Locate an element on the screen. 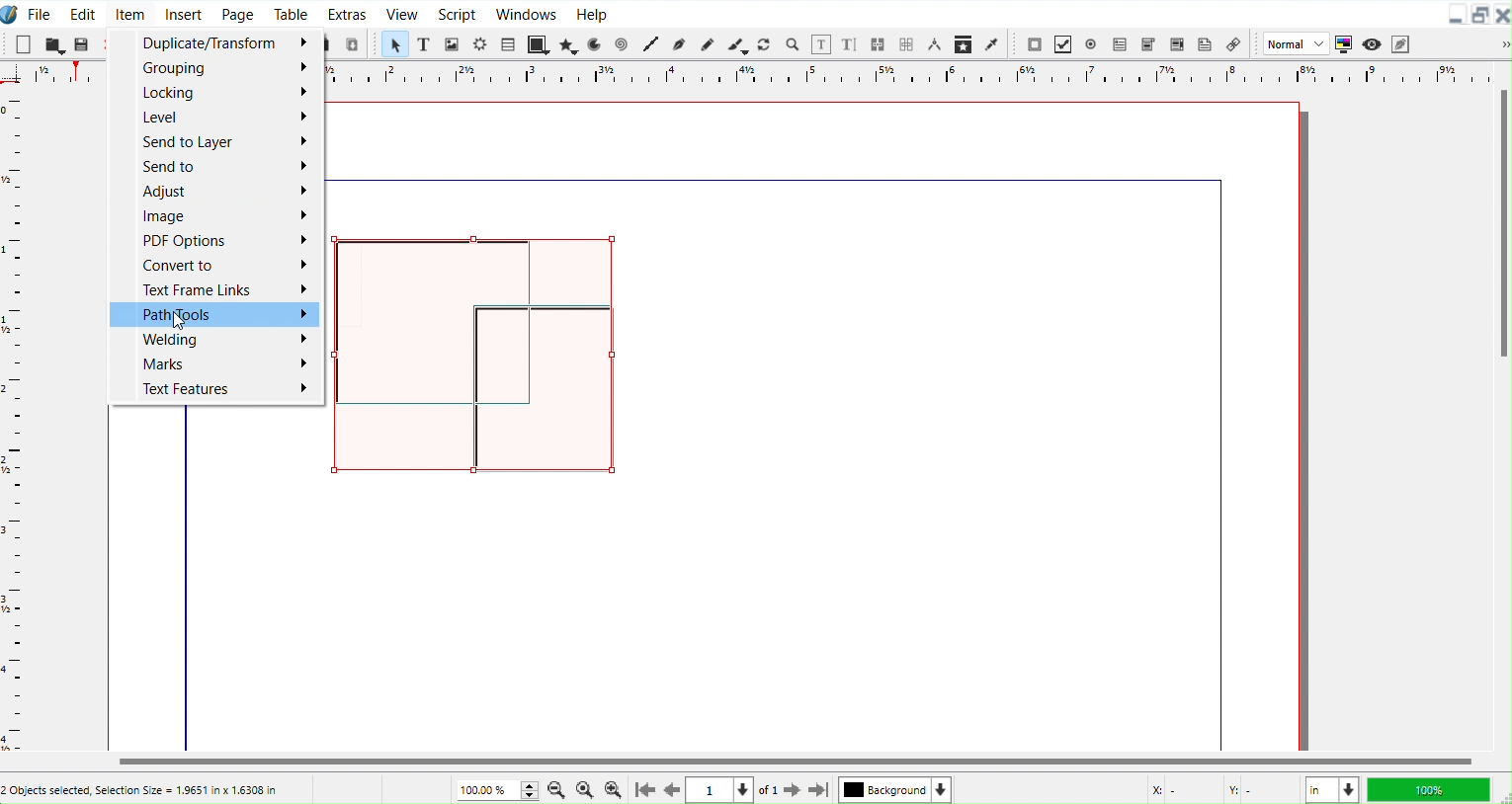 Image resolution: width=1512 pixels, height=804 pixels. Vertical Scale is located at coordinates (904, 76).